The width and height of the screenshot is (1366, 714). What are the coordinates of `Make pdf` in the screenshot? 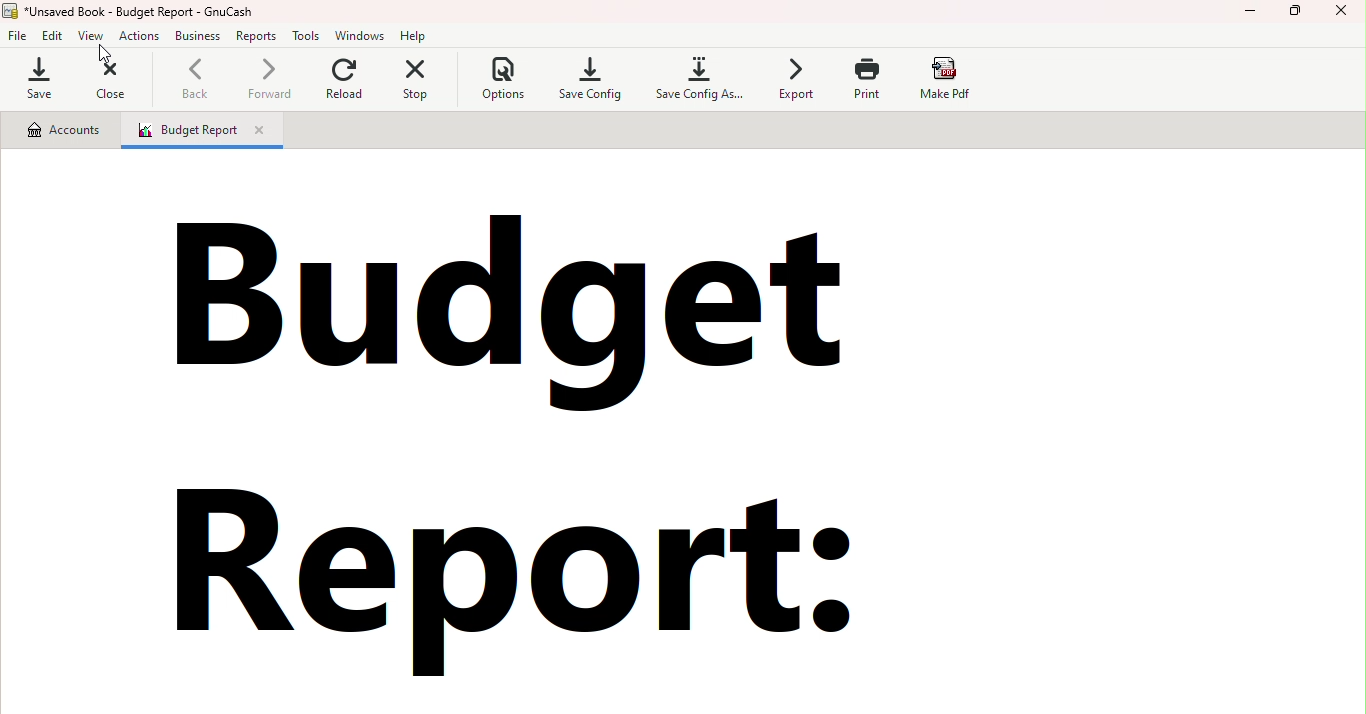 It's located at (946, 78).